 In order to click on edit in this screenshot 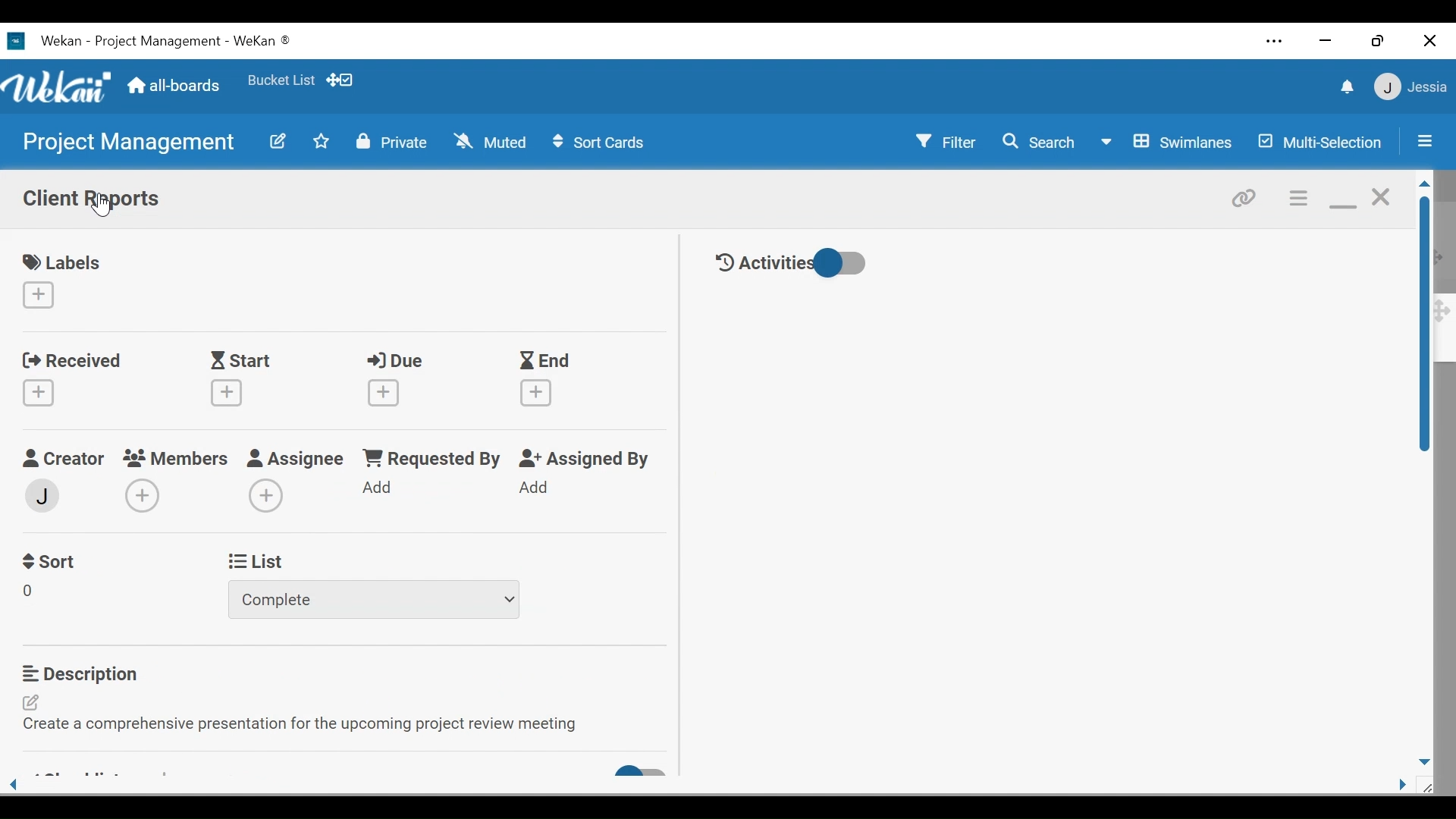, I will do `click(279, 142)`.